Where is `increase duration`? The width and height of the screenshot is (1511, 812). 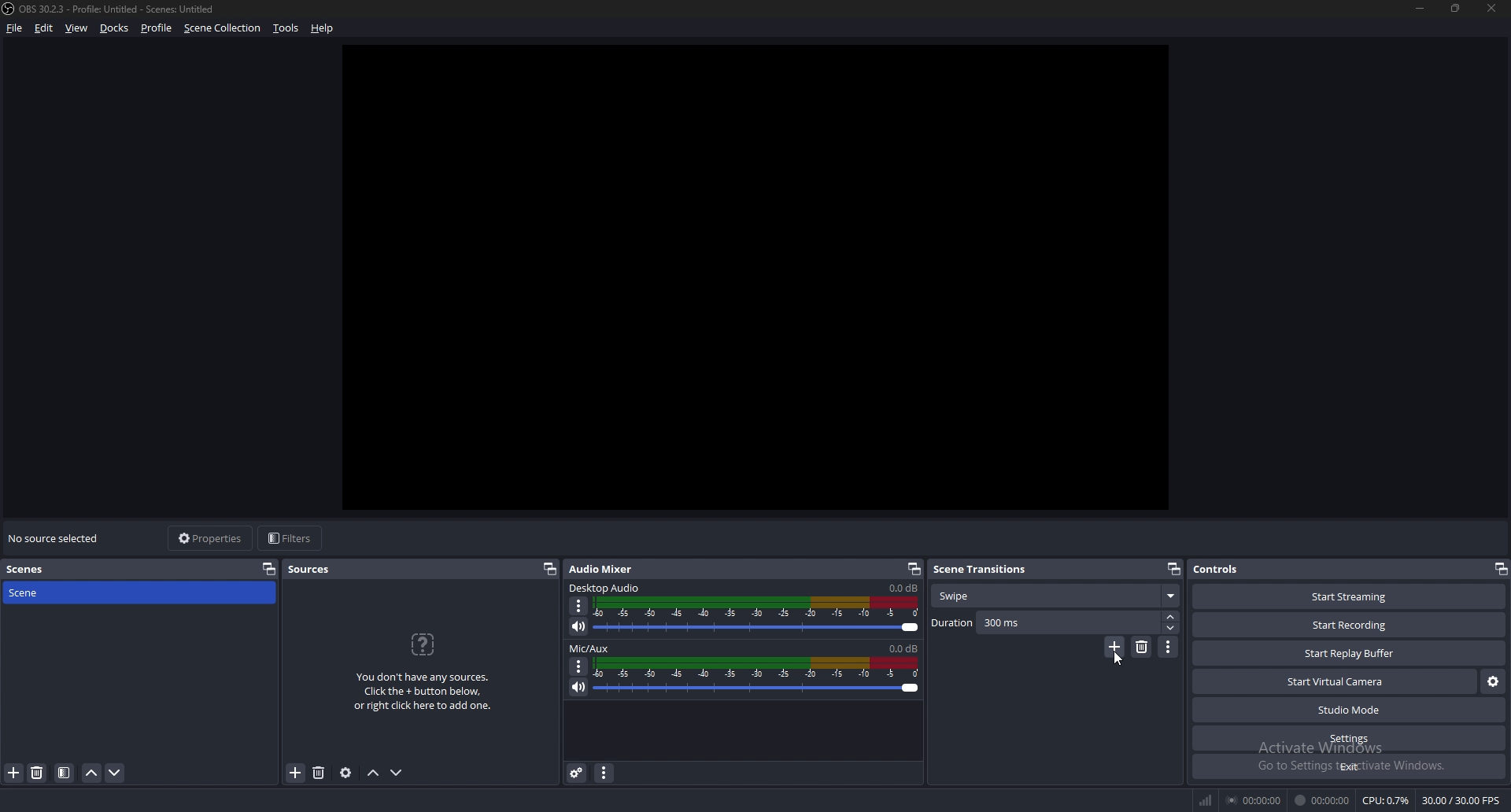
increase duration is located at coordinates (1170, 617).